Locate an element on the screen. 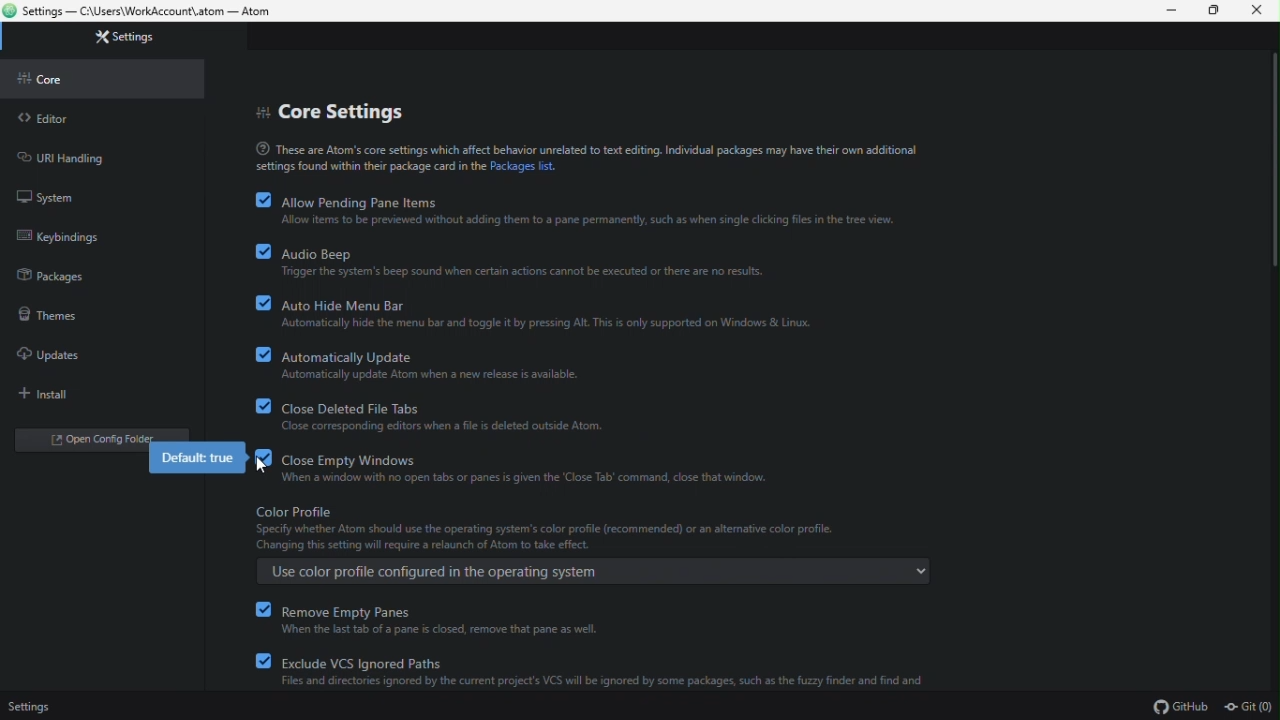 The height and width of the screenshot is (720, 1280). checkbox is located at coordinates (263, 201).